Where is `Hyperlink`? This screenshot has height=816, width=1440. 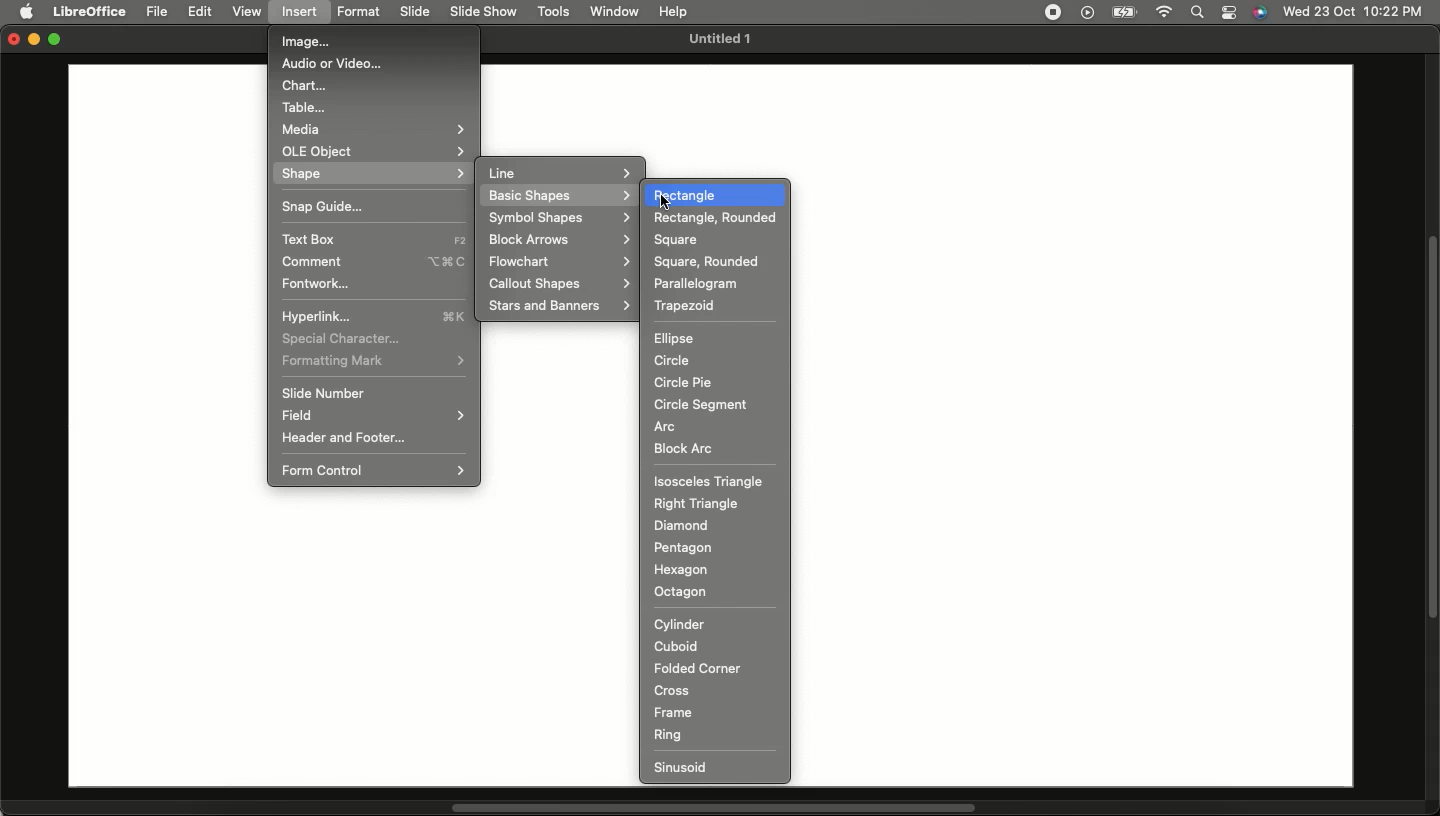 Hyperlink is located at coordinates (373, 317).